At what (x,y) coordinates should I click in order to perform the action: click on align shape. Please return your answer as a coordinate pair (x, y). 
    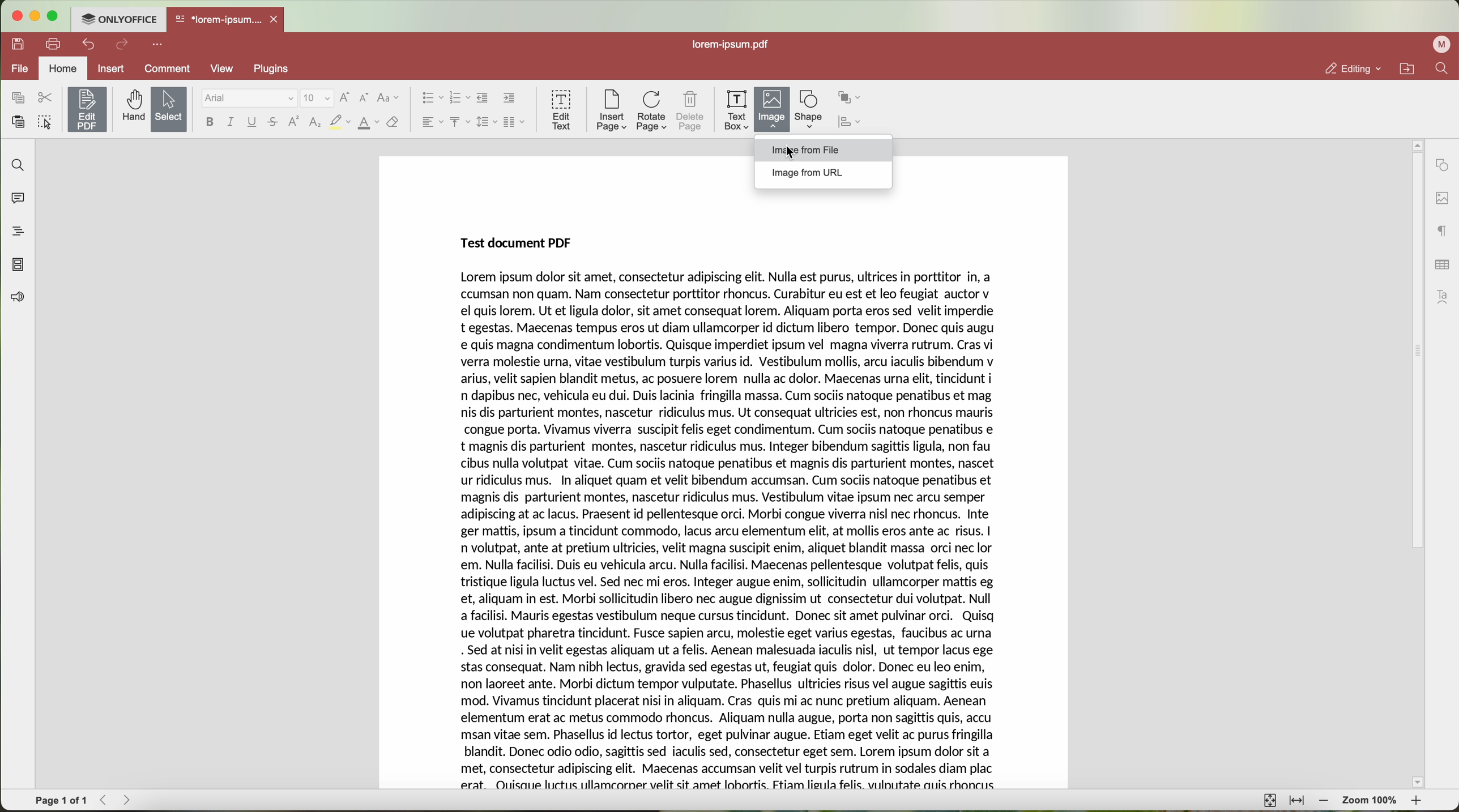
    Looking at the image, I should click on (852, 123).